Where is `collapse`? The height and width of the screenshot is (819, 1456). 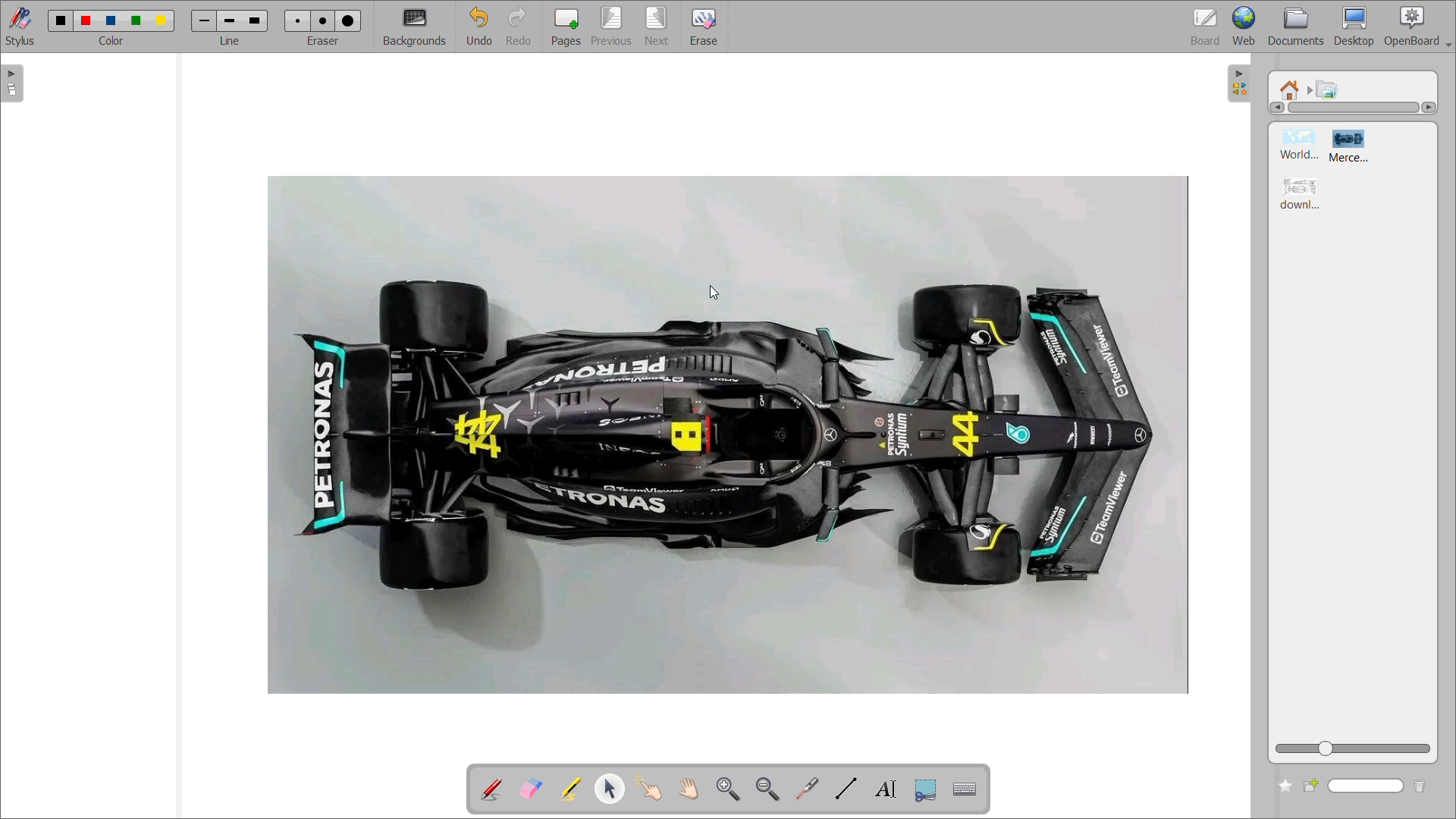
collapse is located at coordinates (1243, 82).